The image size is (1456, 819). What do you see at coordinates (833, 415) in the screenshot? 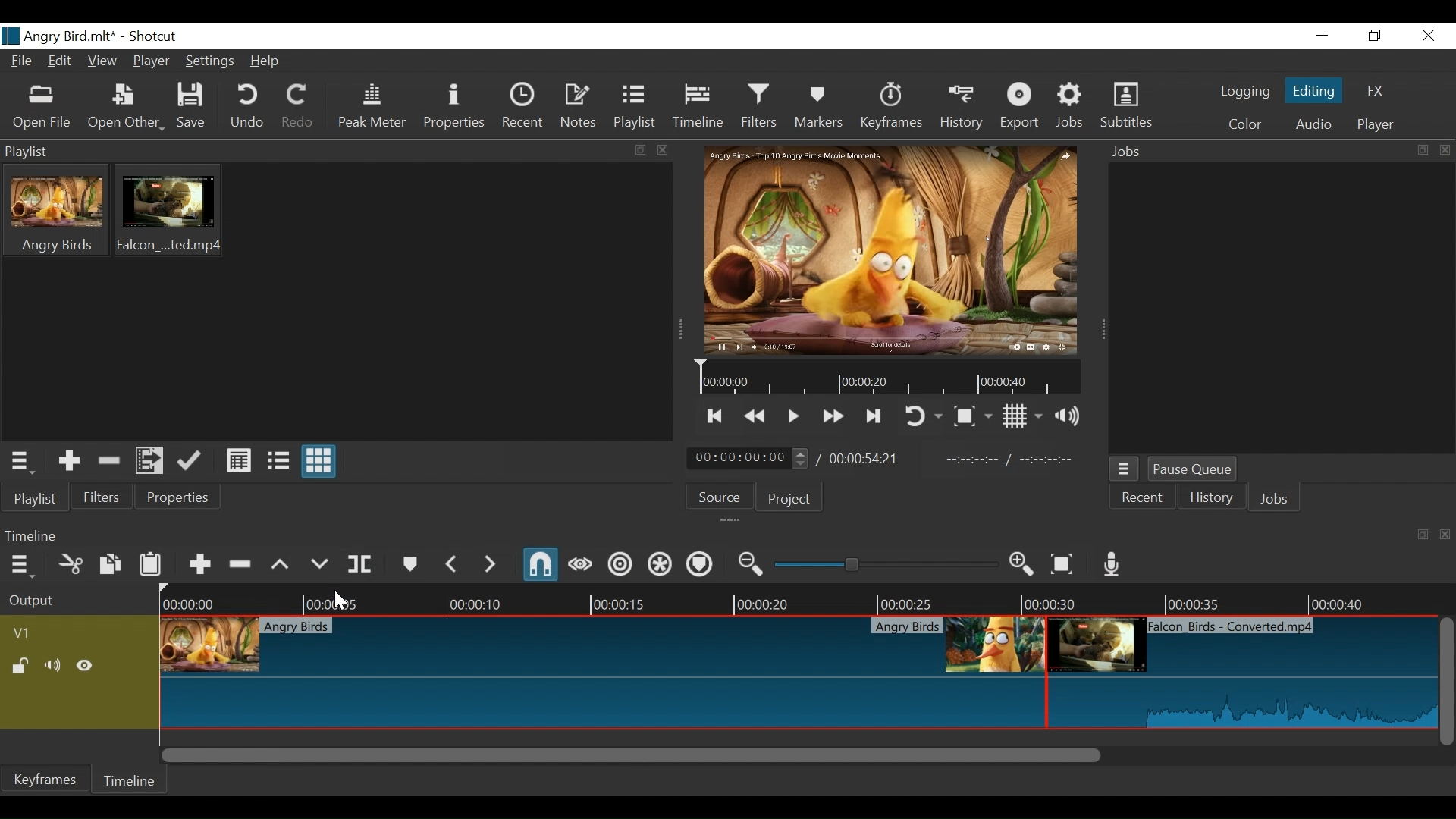
I see `Play forward quickly` at bounding box center [833, 415].